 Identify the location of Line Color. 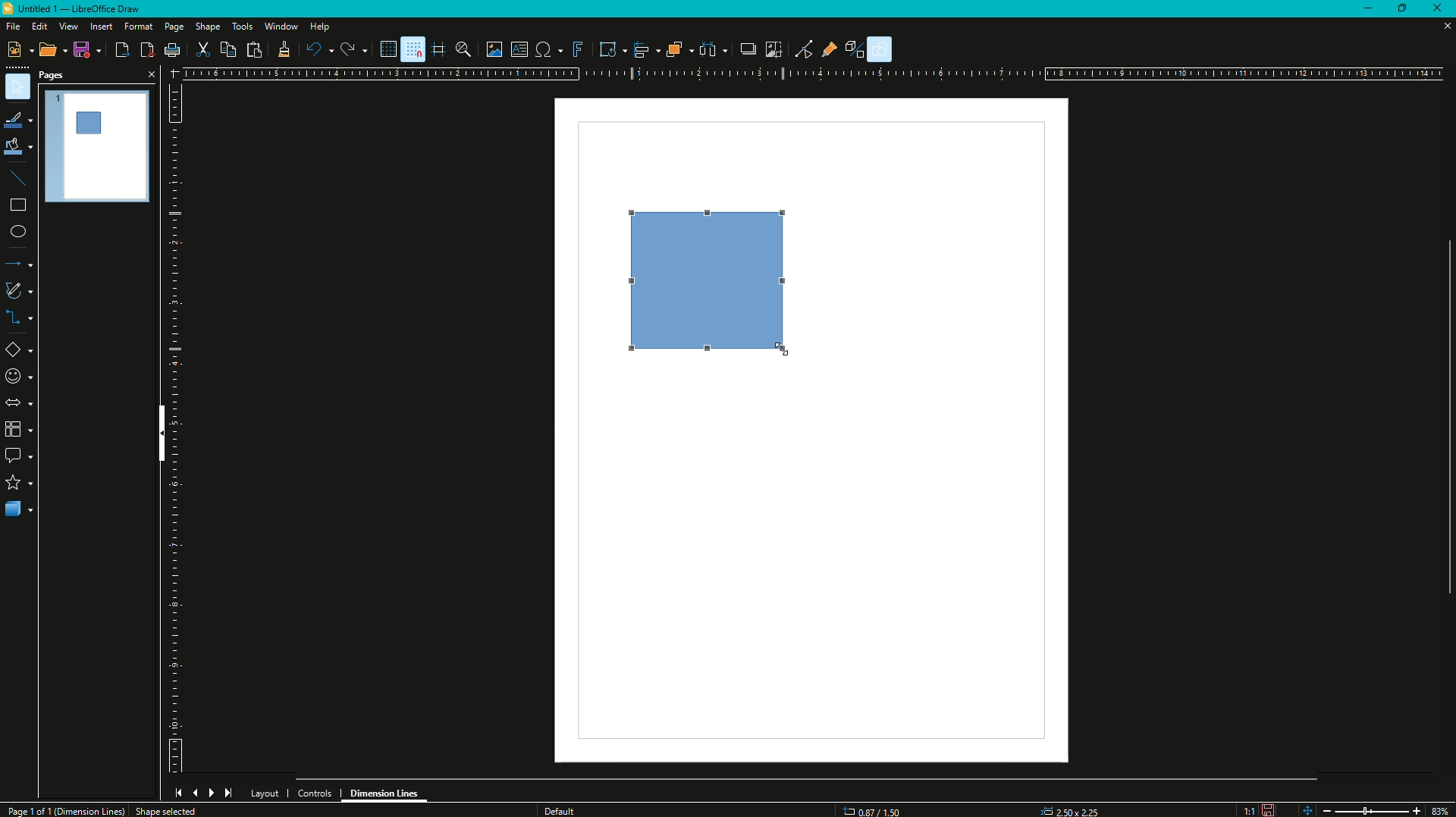
(18, 119).